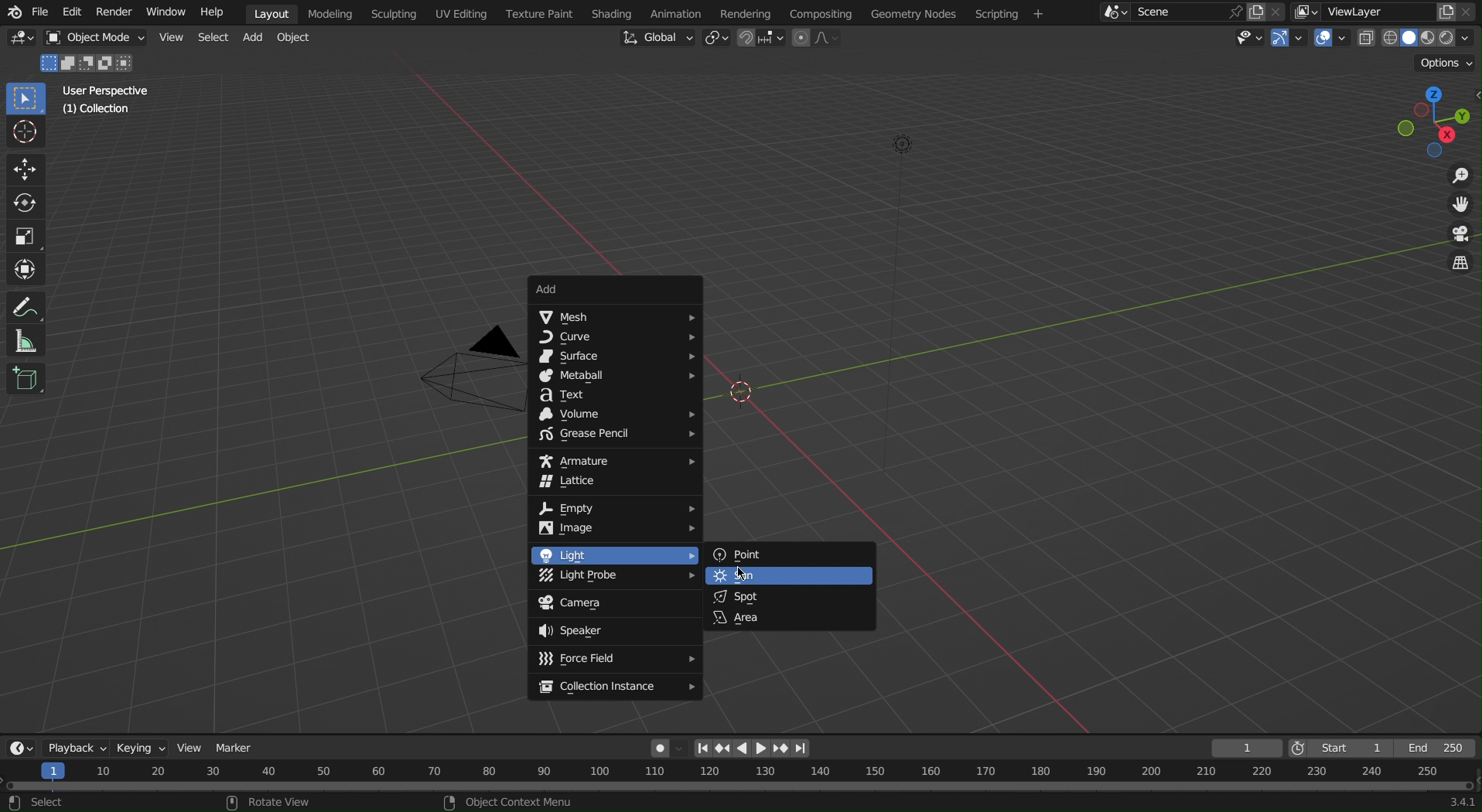  Describe the element at coordinates (1331, 40) in the screenshot. I see `Show Overlays` at that location.